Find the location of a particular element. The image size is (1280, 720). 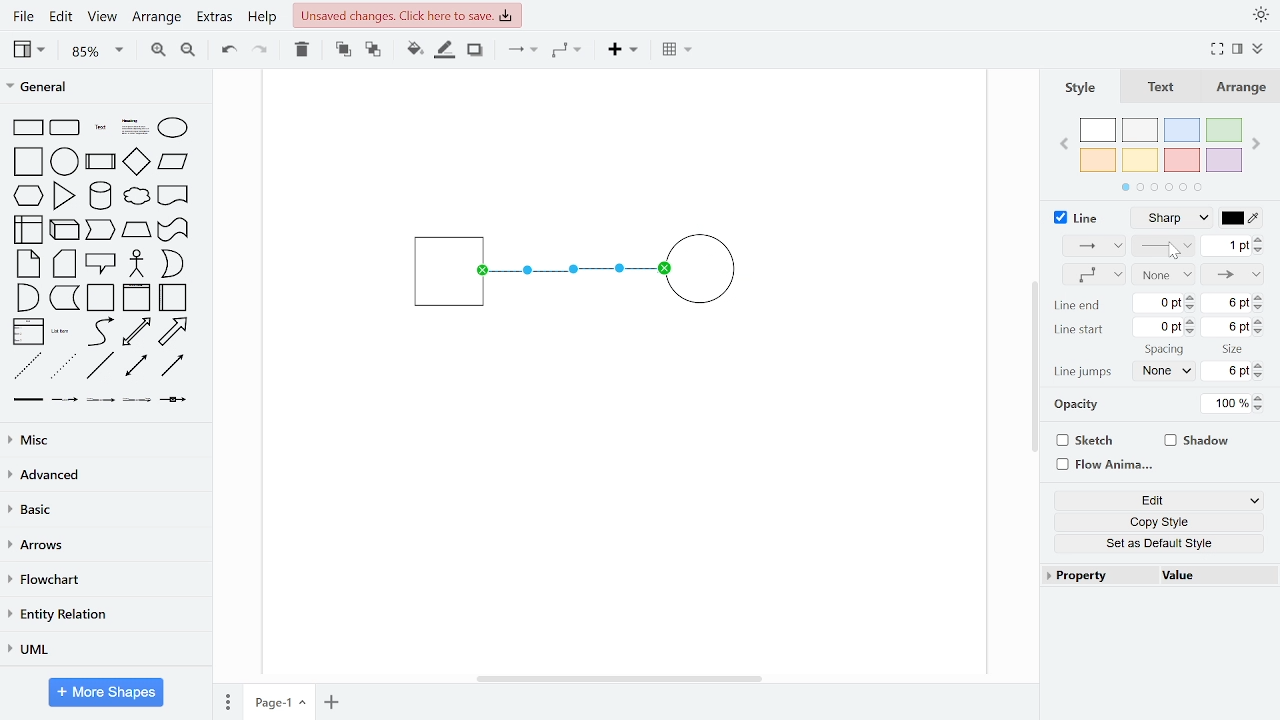

line end is located at coordinates (1077, 306).